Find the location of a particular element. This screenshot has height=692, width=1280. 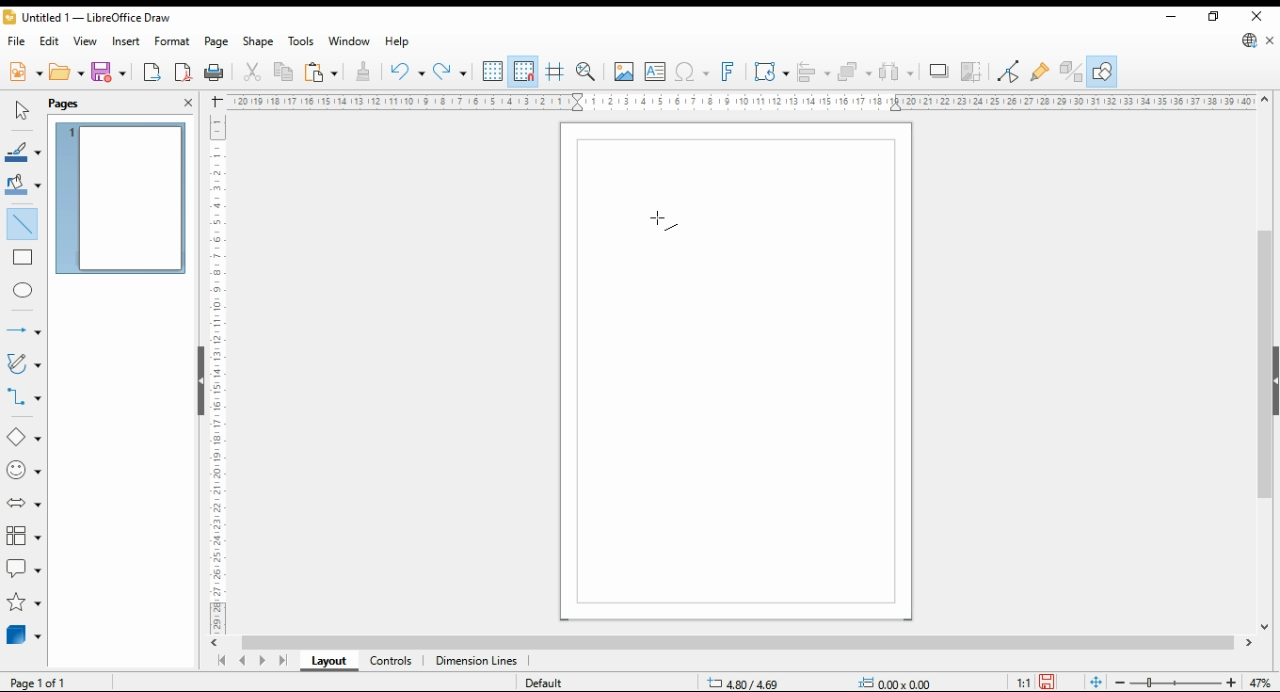

curves and polygons is located at coordinates (25, 363).